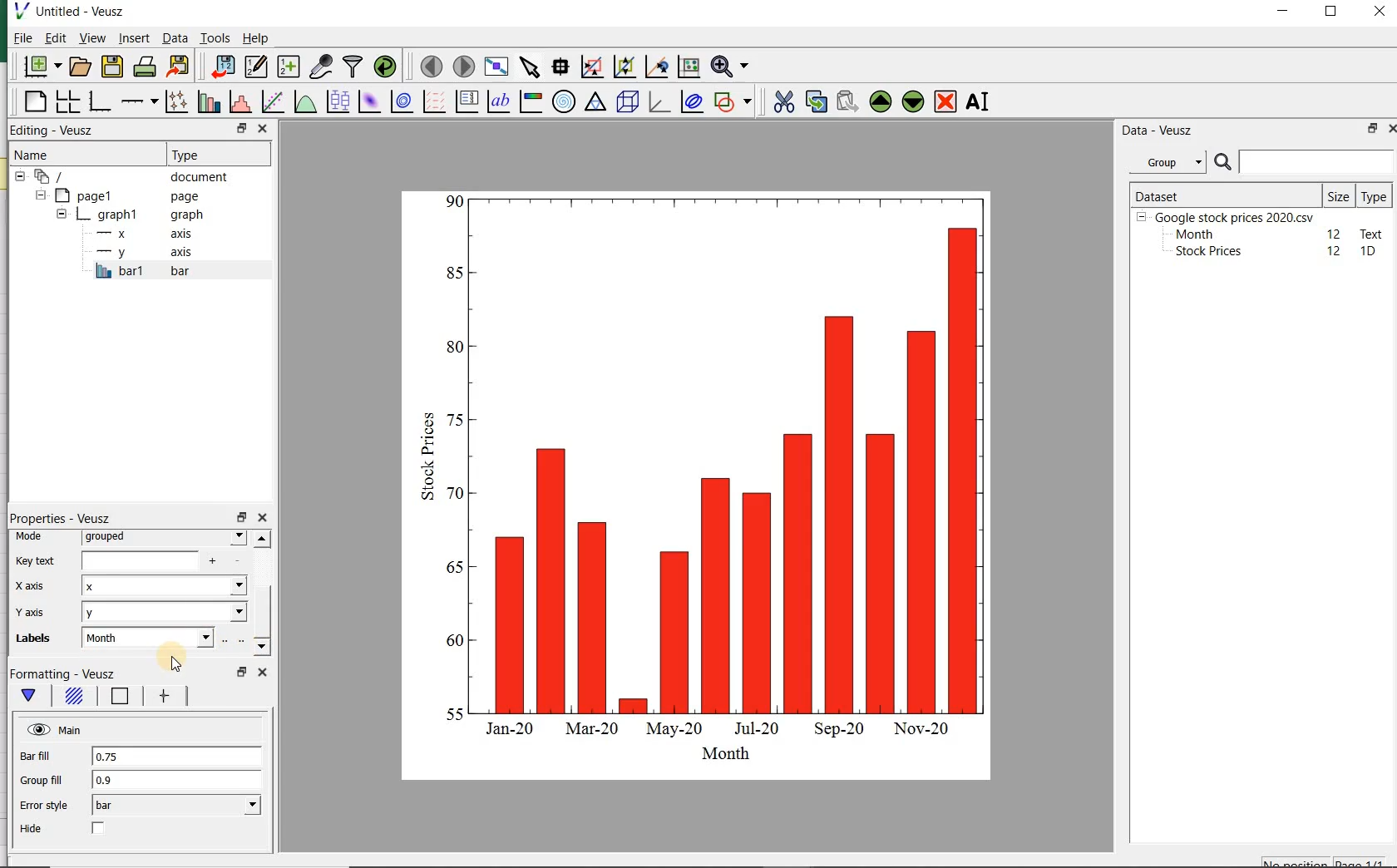 Image resolution: width=1397 pixels, height=868 pixels. Describe the element at coordinates (258, 40) in the screenshot. I see `Help` at that location.